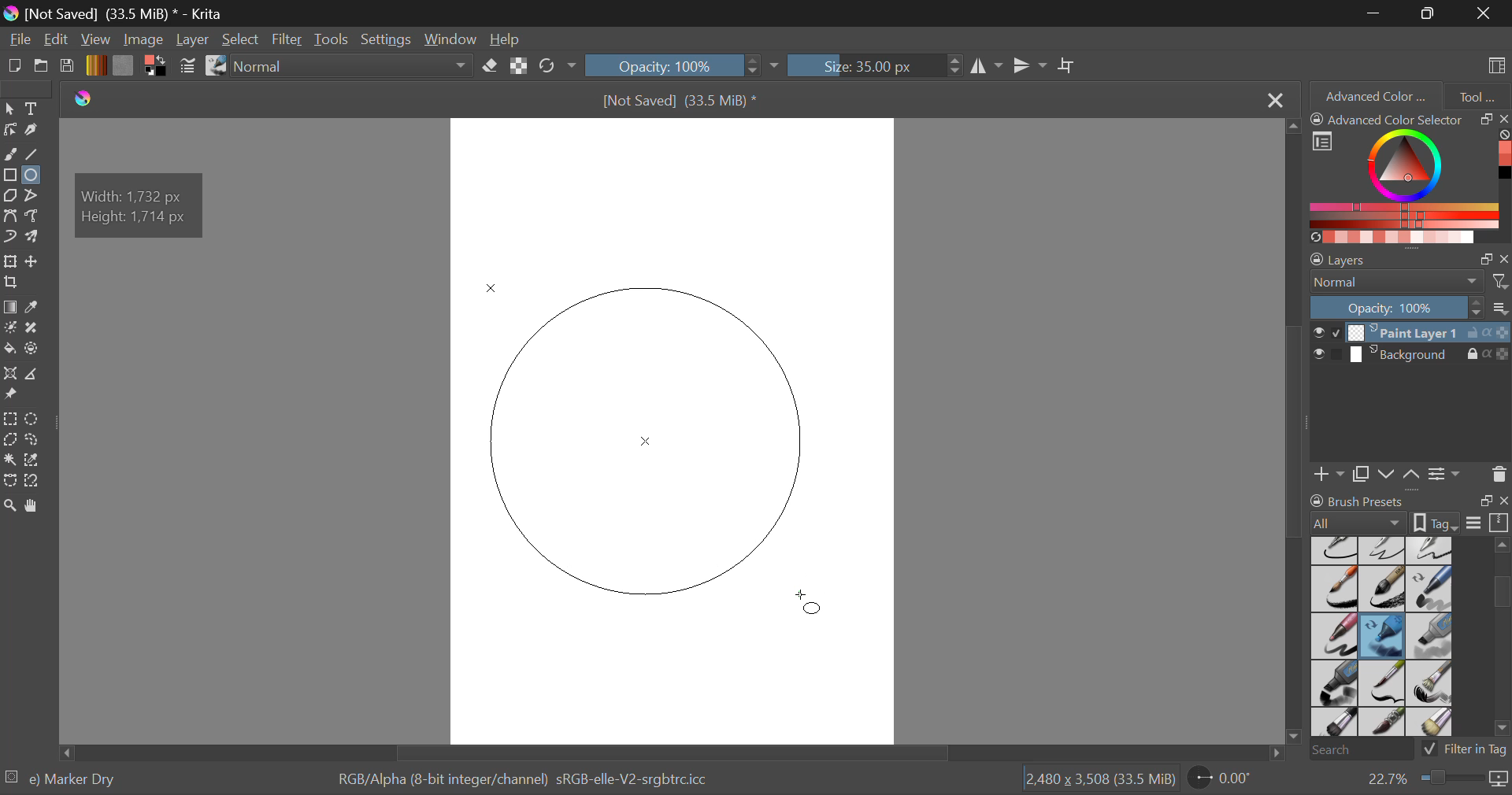 This screenshot has width=1512, height=795. What do you see at coordinates (668, 752) in the screenshot?
I see `Scroll Bar` at bounding box center [668, 752].